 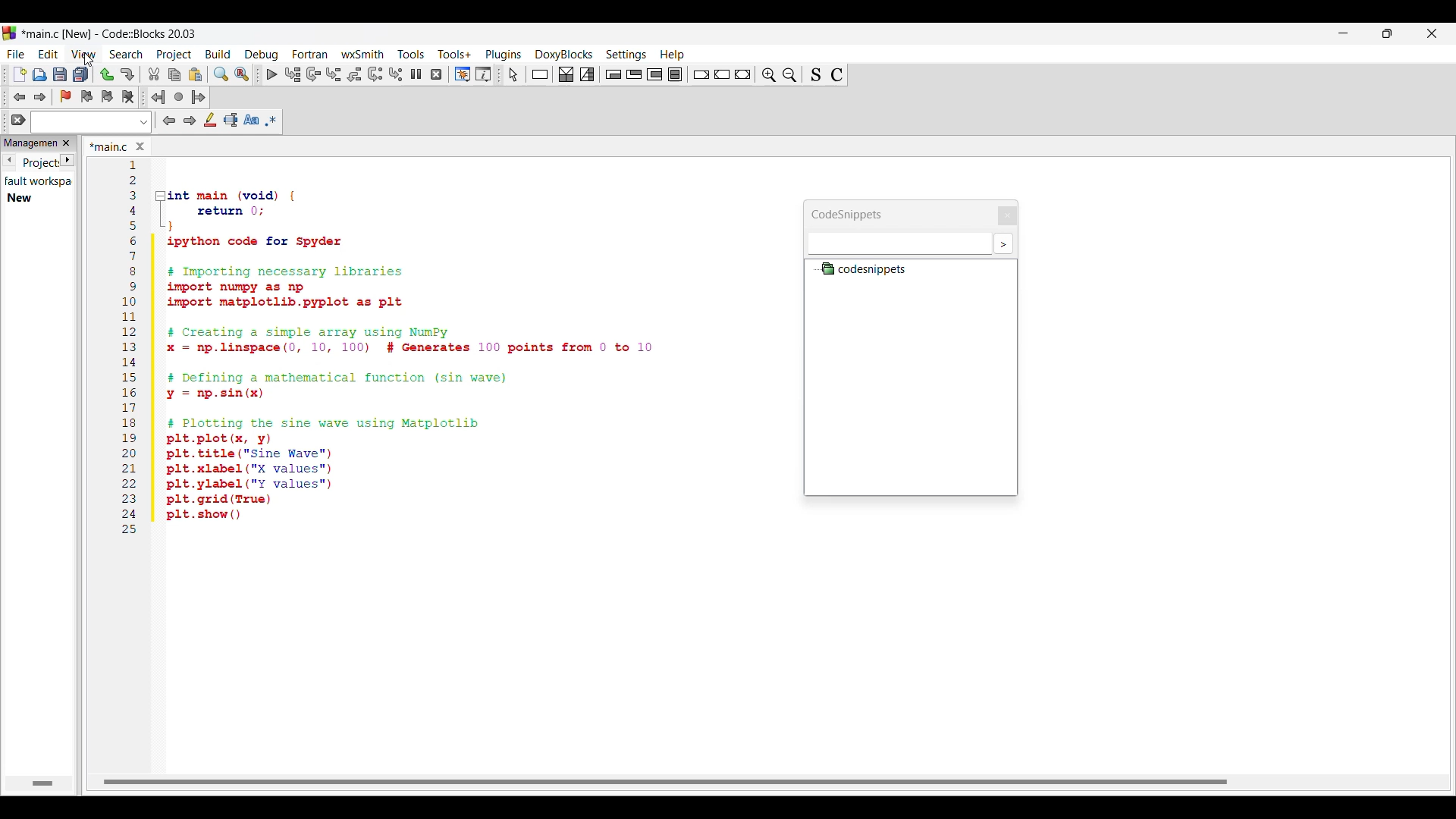 I want to click on Toggle forward, so click(x=39, y=97).